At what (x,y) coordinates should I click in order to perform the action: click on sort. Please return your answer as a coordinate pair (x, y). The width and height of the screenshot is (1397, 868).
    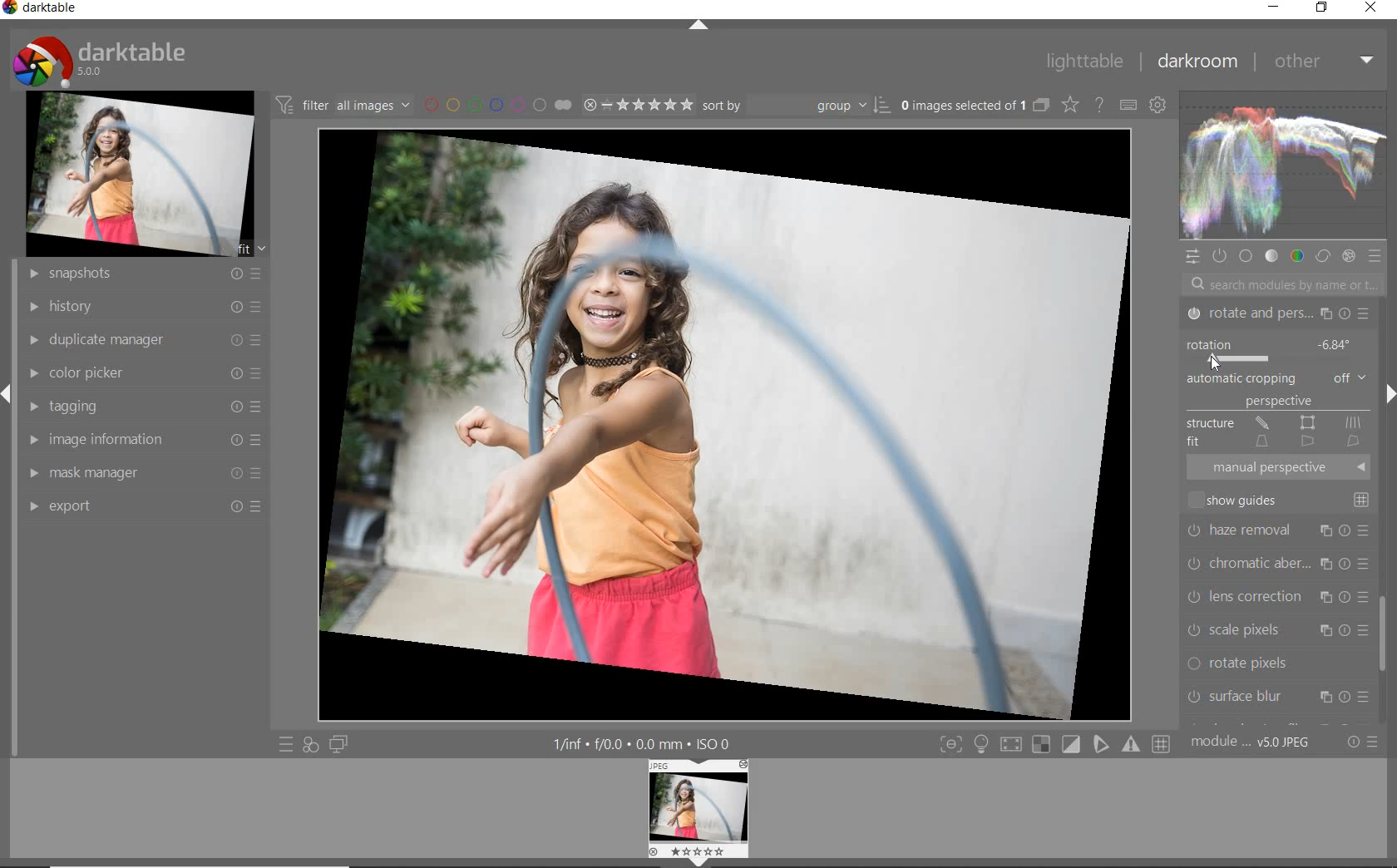
    Looking at the image, I should click on (797, 104).